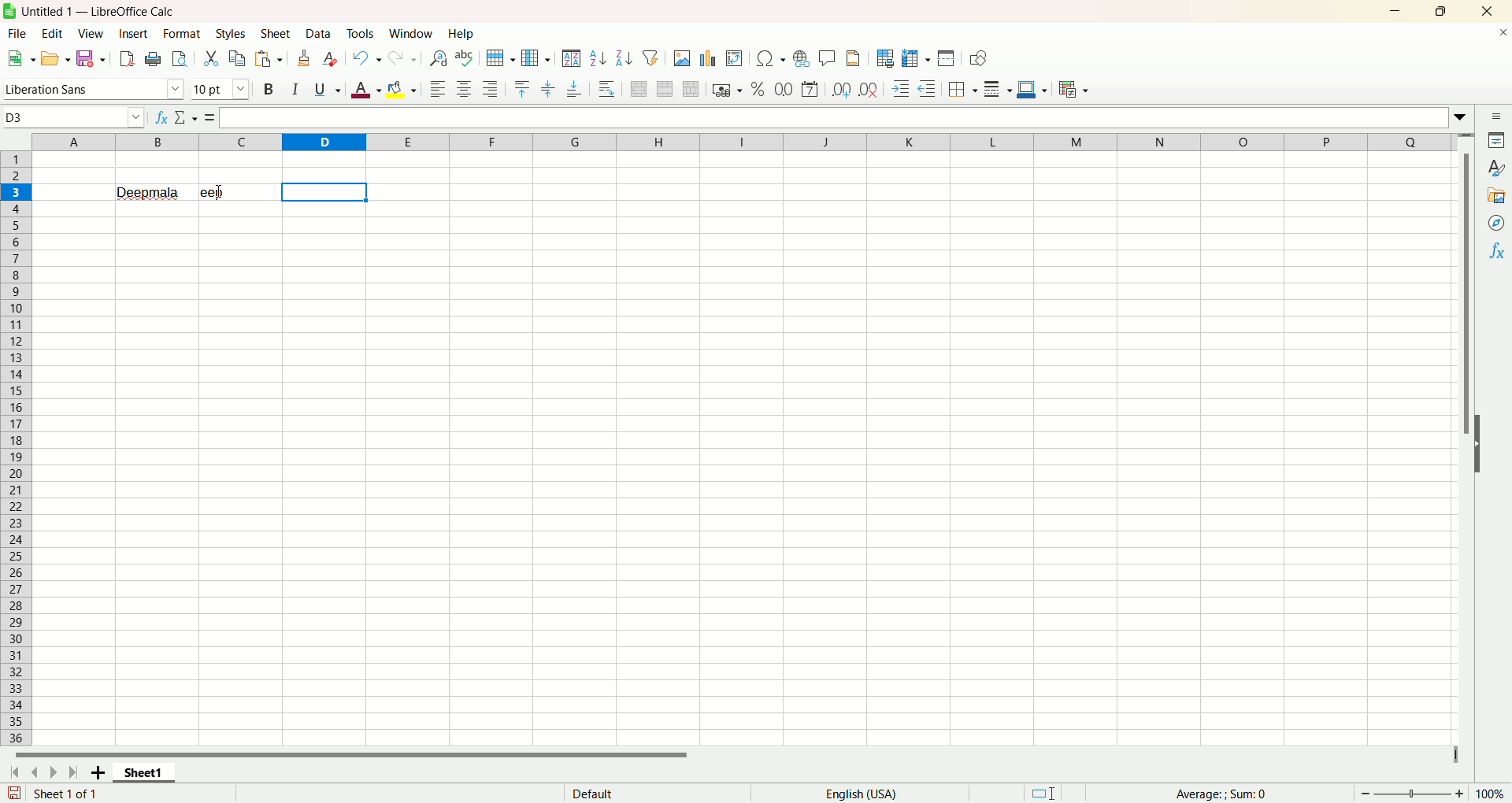  I want to click on New, so click(20, 57).